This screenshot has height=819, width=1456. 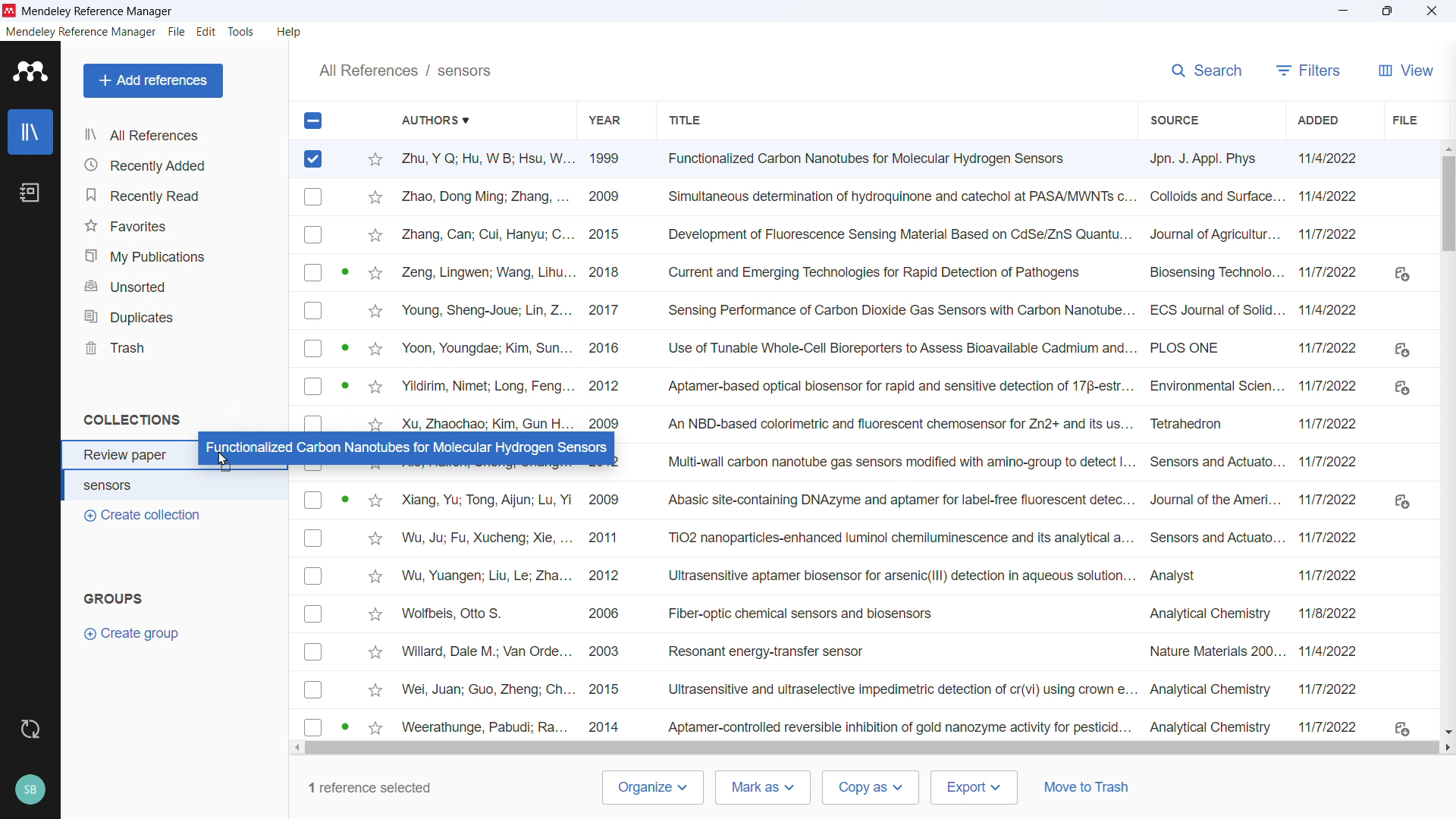 I want to click on Vertical scroll bar , so click(x=1449, y=213).